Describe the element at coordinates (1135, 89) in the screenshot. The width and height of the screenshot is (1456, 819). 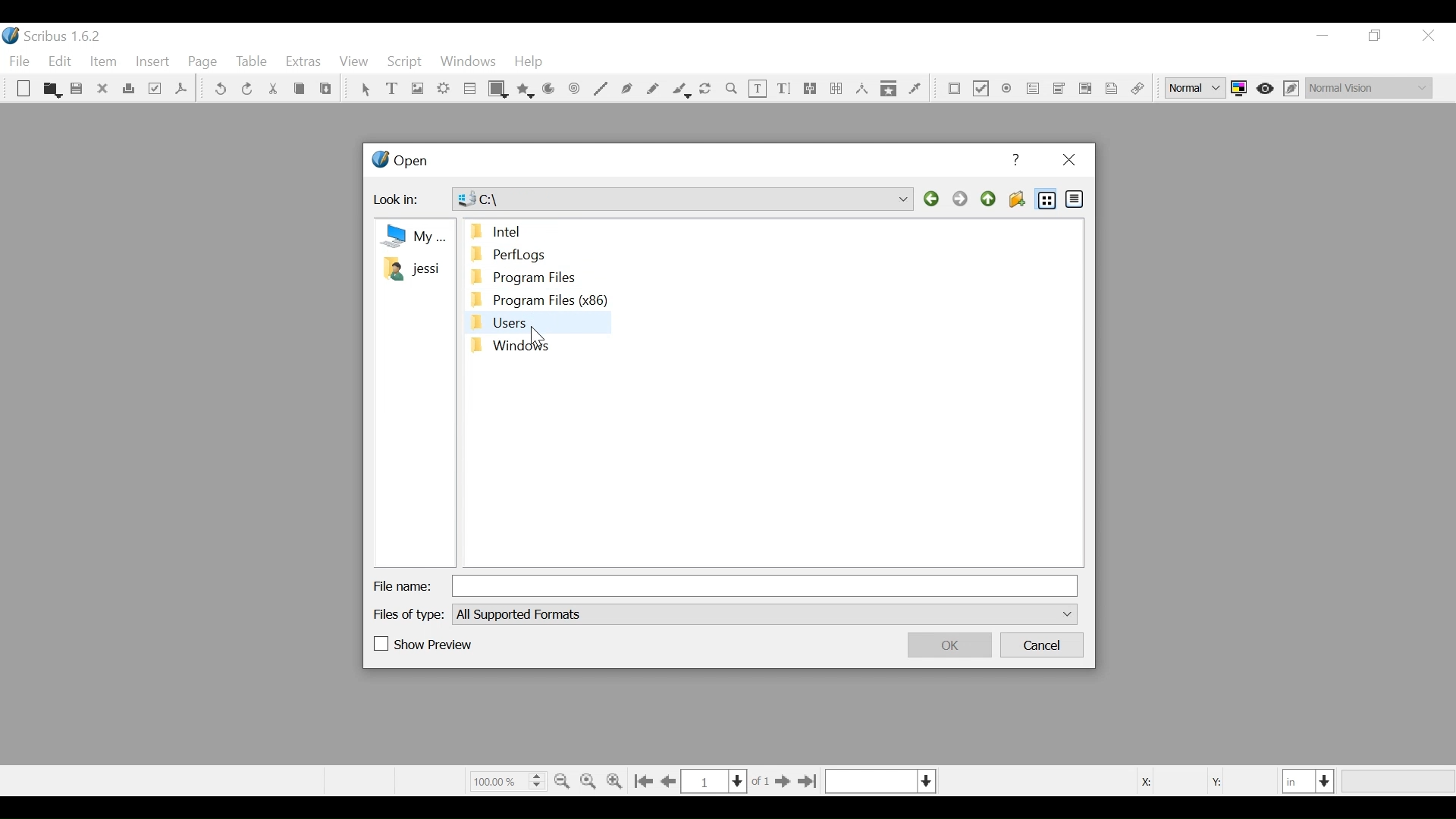
I see `Link Annotations` at that location.